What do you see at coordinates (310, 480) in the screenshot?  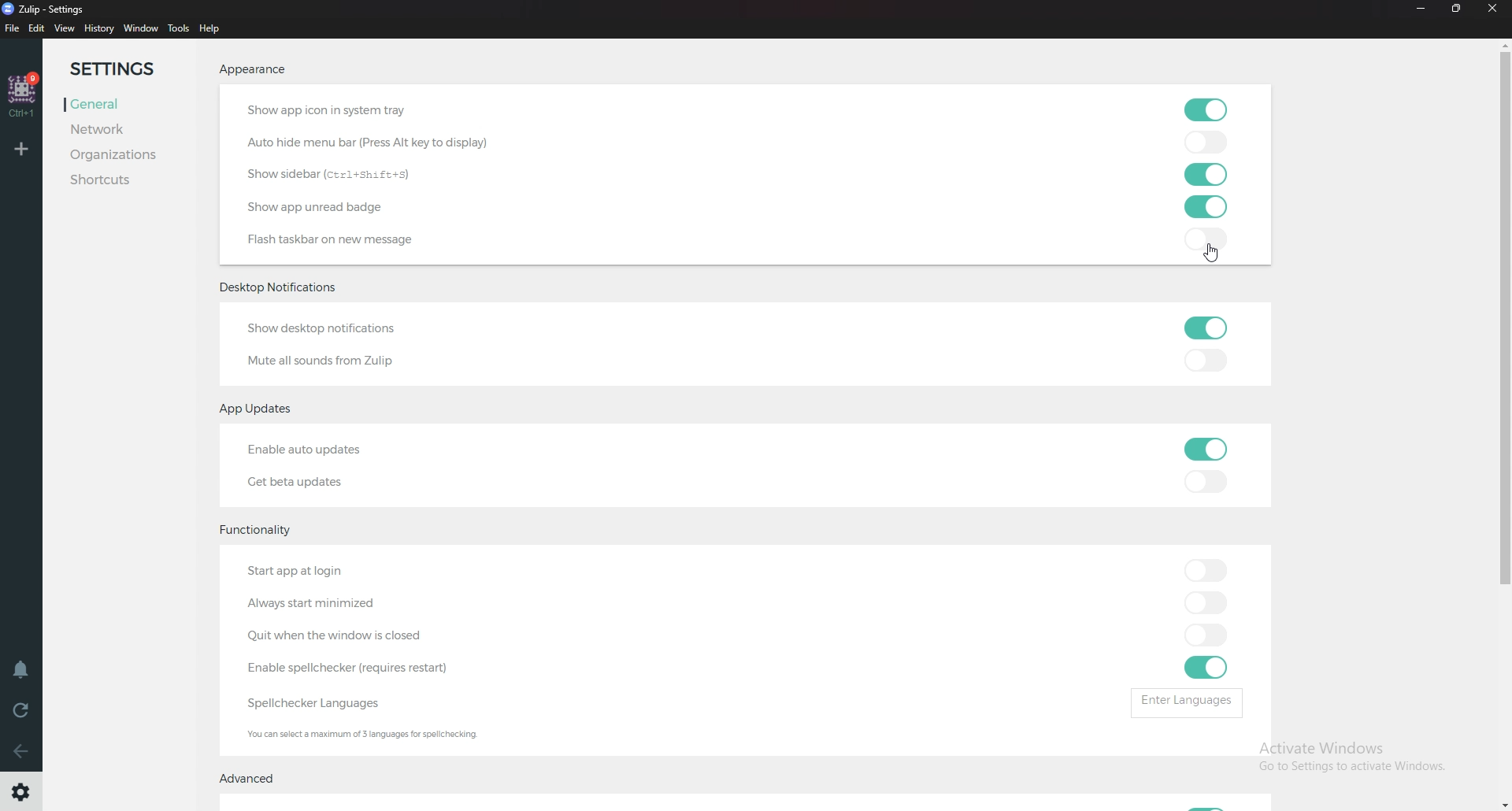 I see `Get beta updates` at bounding box center [310, 480].